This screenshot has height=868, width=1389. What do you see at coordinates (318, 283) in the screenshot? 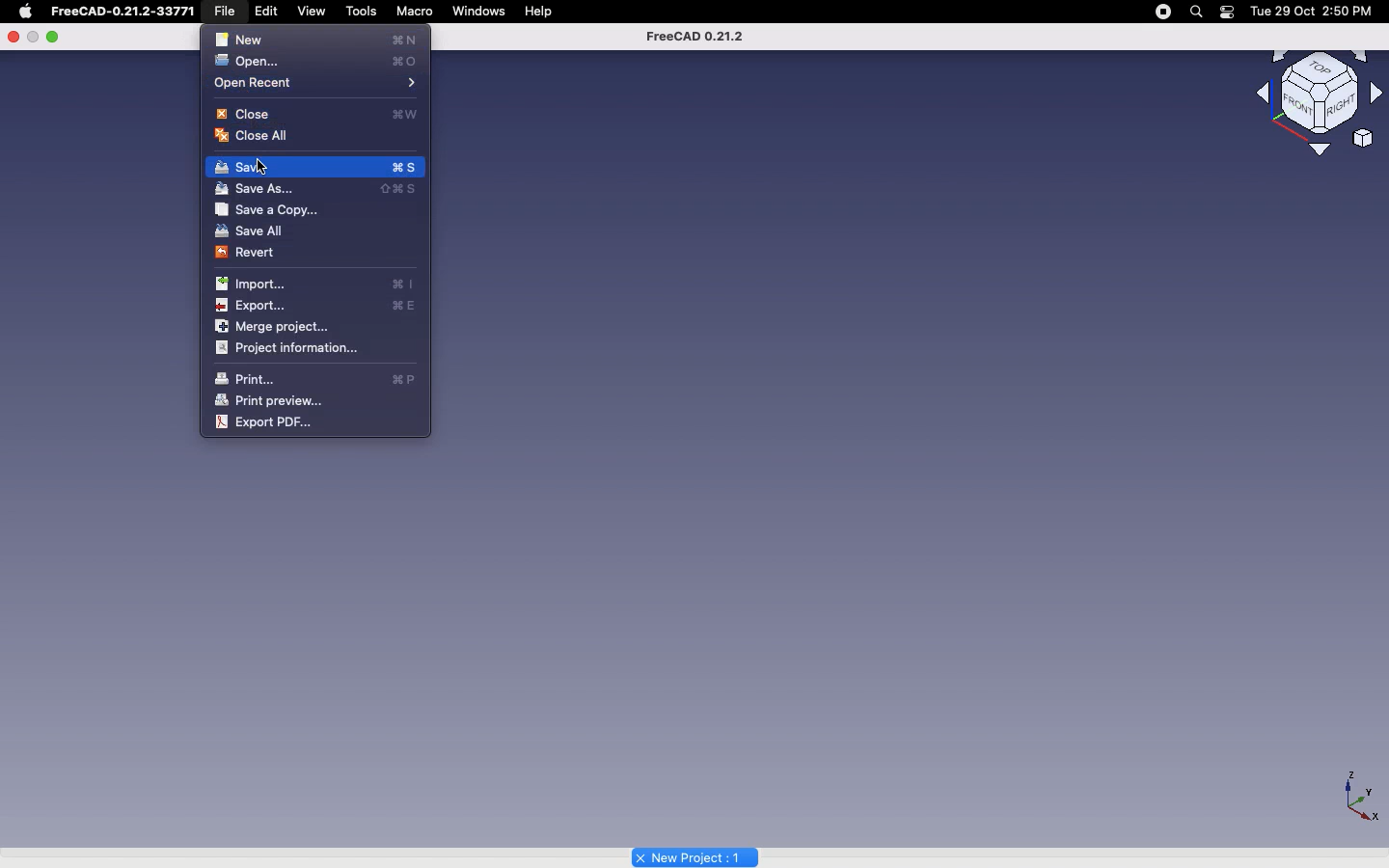
I see `Import` at bounding box center [318, 283].